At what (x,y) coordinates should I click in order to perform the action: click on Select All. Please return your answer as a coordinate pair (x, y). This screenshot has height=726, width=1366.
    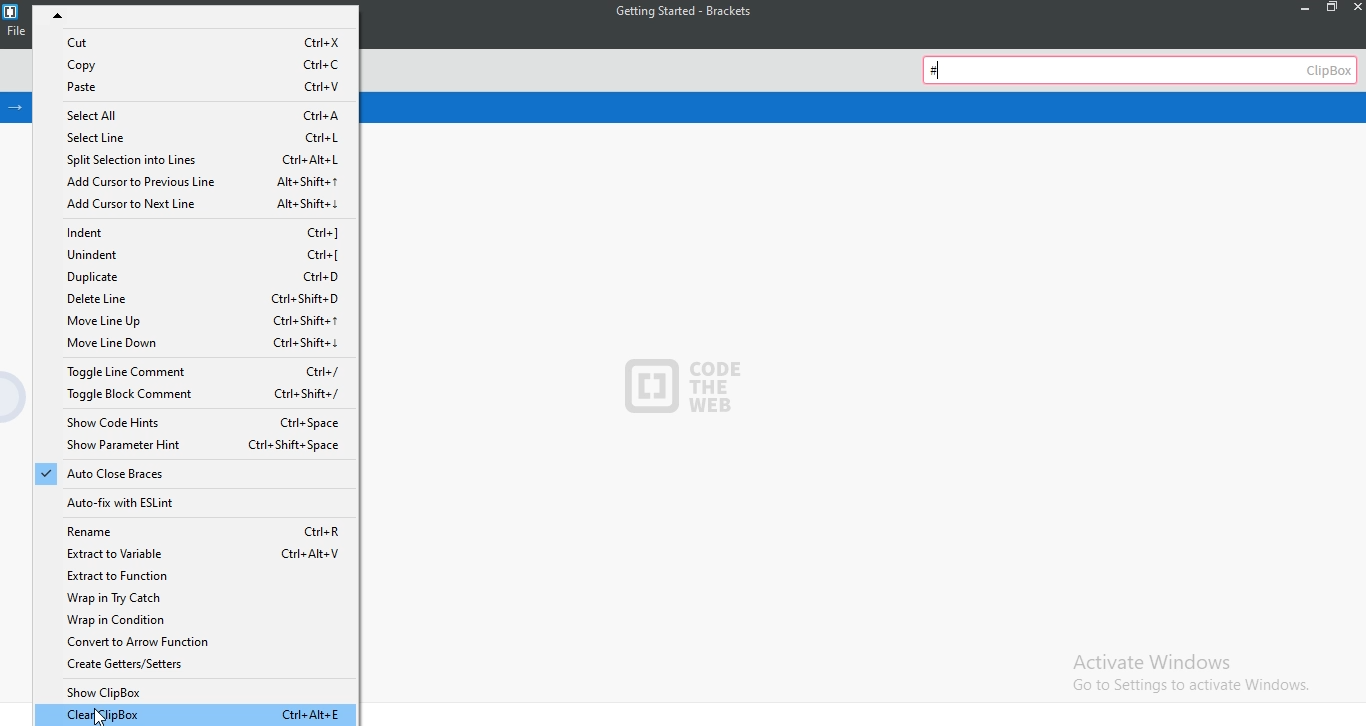
    Looking at the image, I should click on (199, 114).